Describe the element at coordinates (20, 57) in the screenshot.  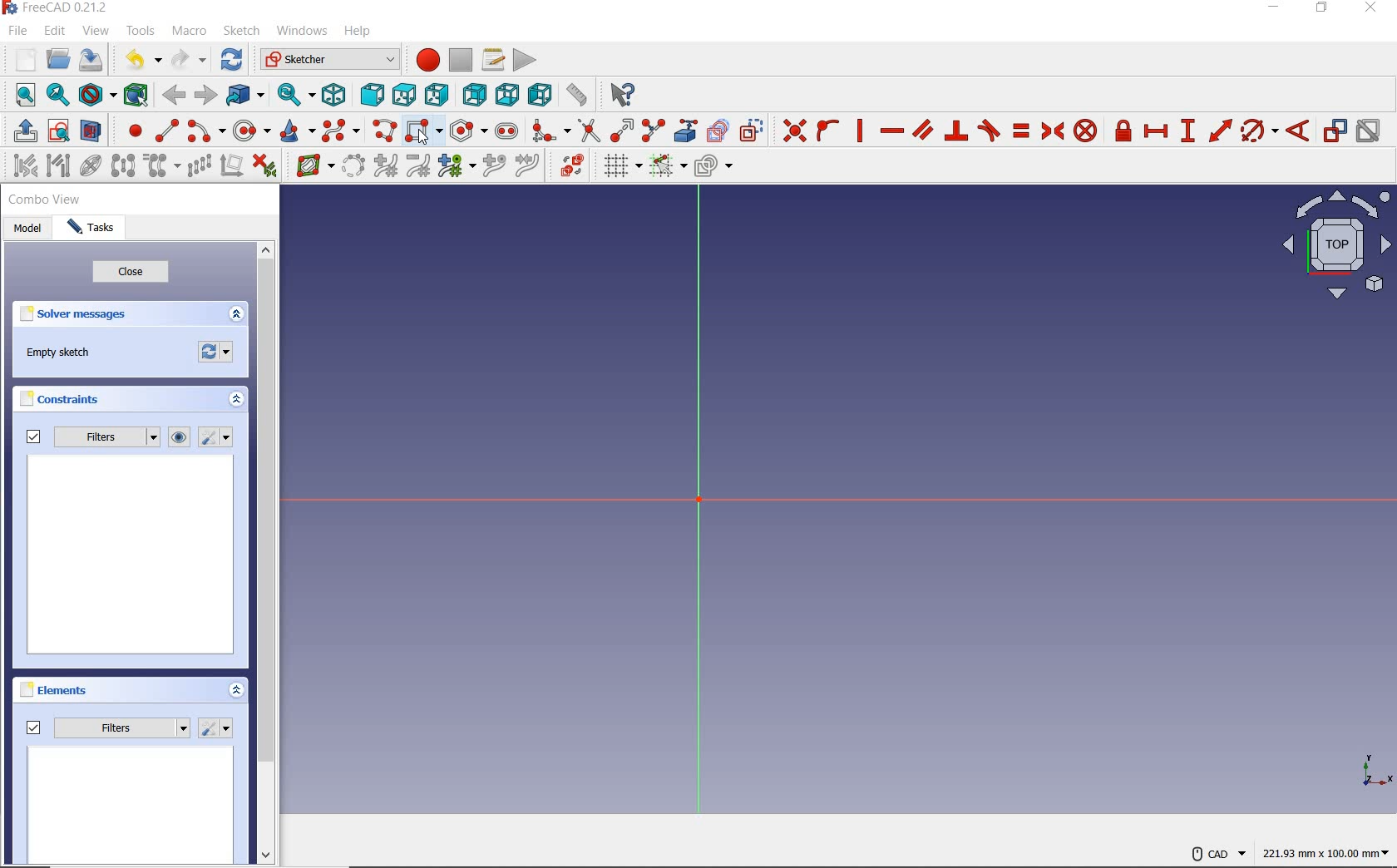
I see `new` at that location.